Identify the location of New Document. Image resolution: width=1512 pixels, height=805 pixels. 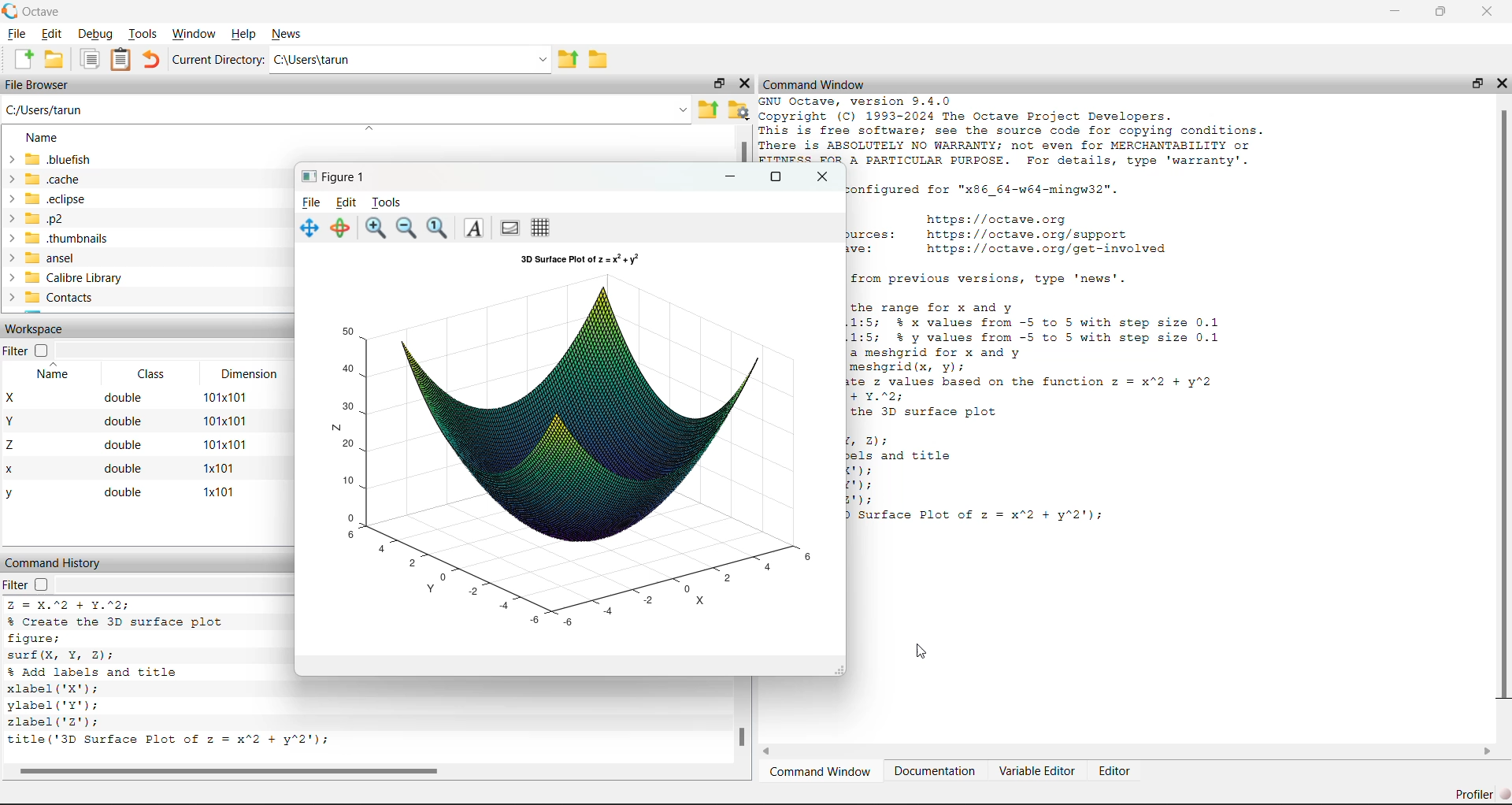
(23, 59).